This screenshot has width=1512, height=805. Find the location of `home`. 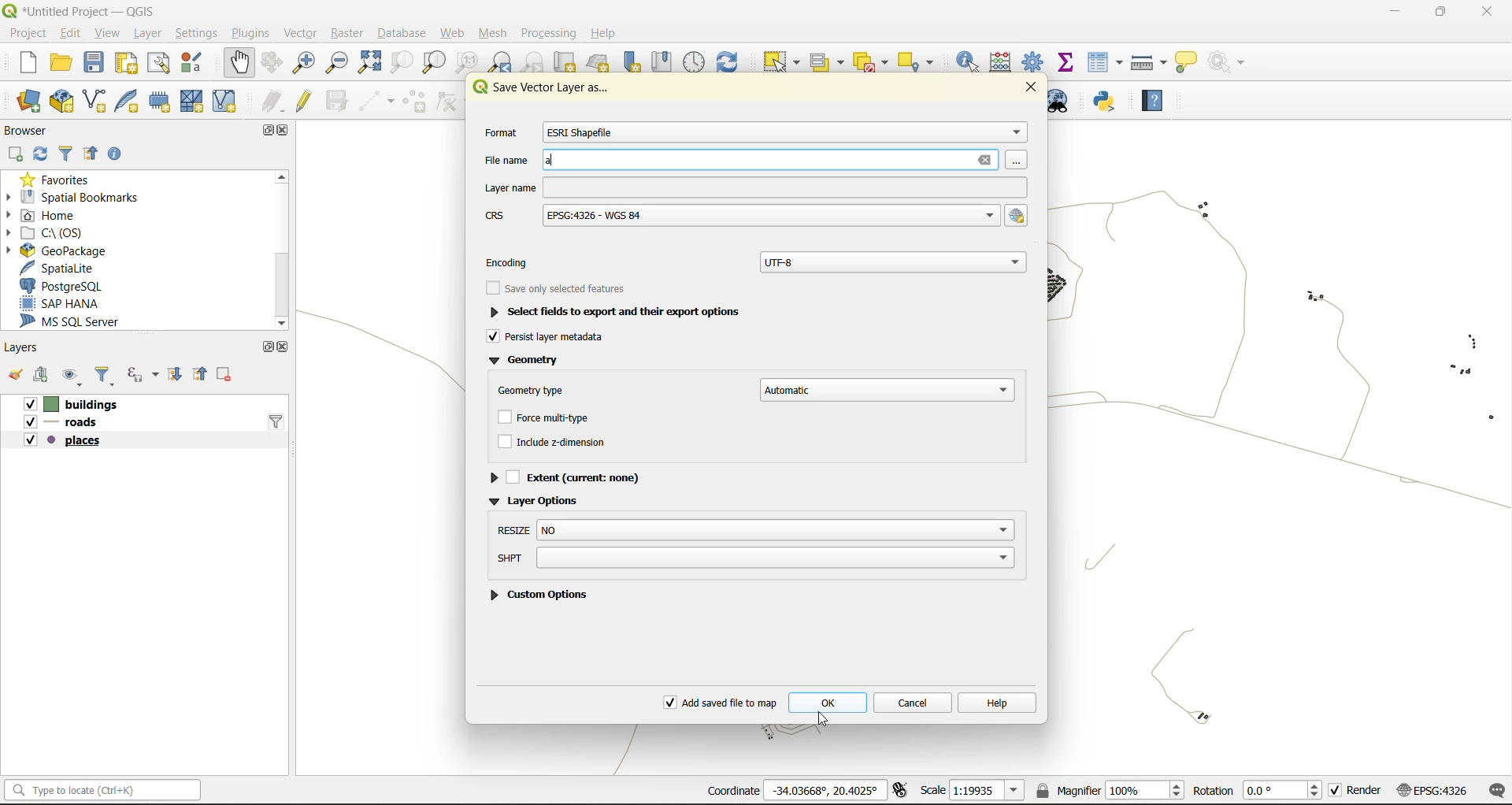

home is located at coordinates (58, 212).